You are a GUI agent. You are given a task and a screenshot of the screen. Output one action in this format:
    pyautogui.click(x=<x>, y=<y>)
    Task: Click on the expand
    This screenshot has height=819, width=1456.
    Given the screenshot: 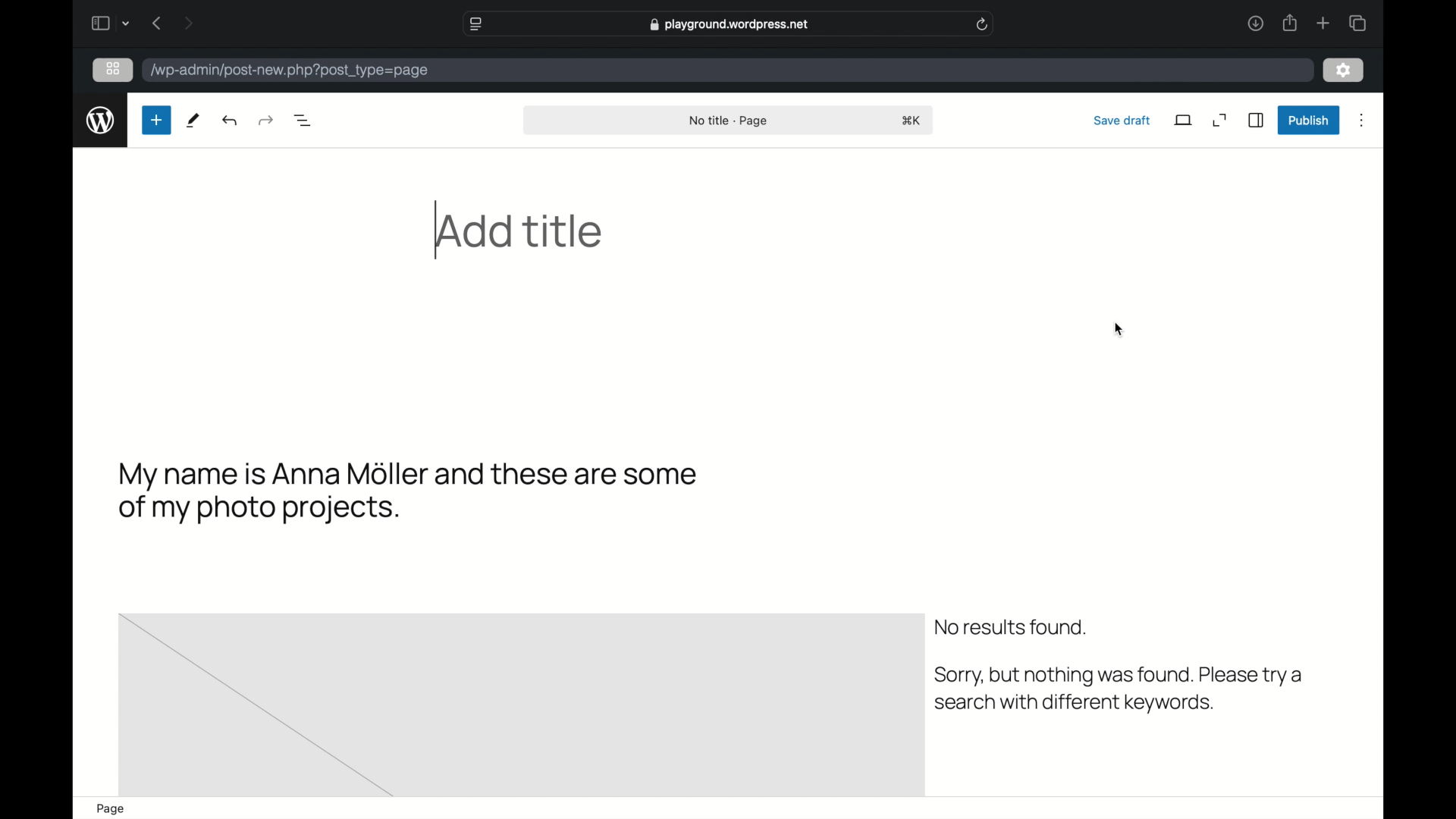 What is the action you would take?
    pyautogui.click(x=1220, y=120)
    